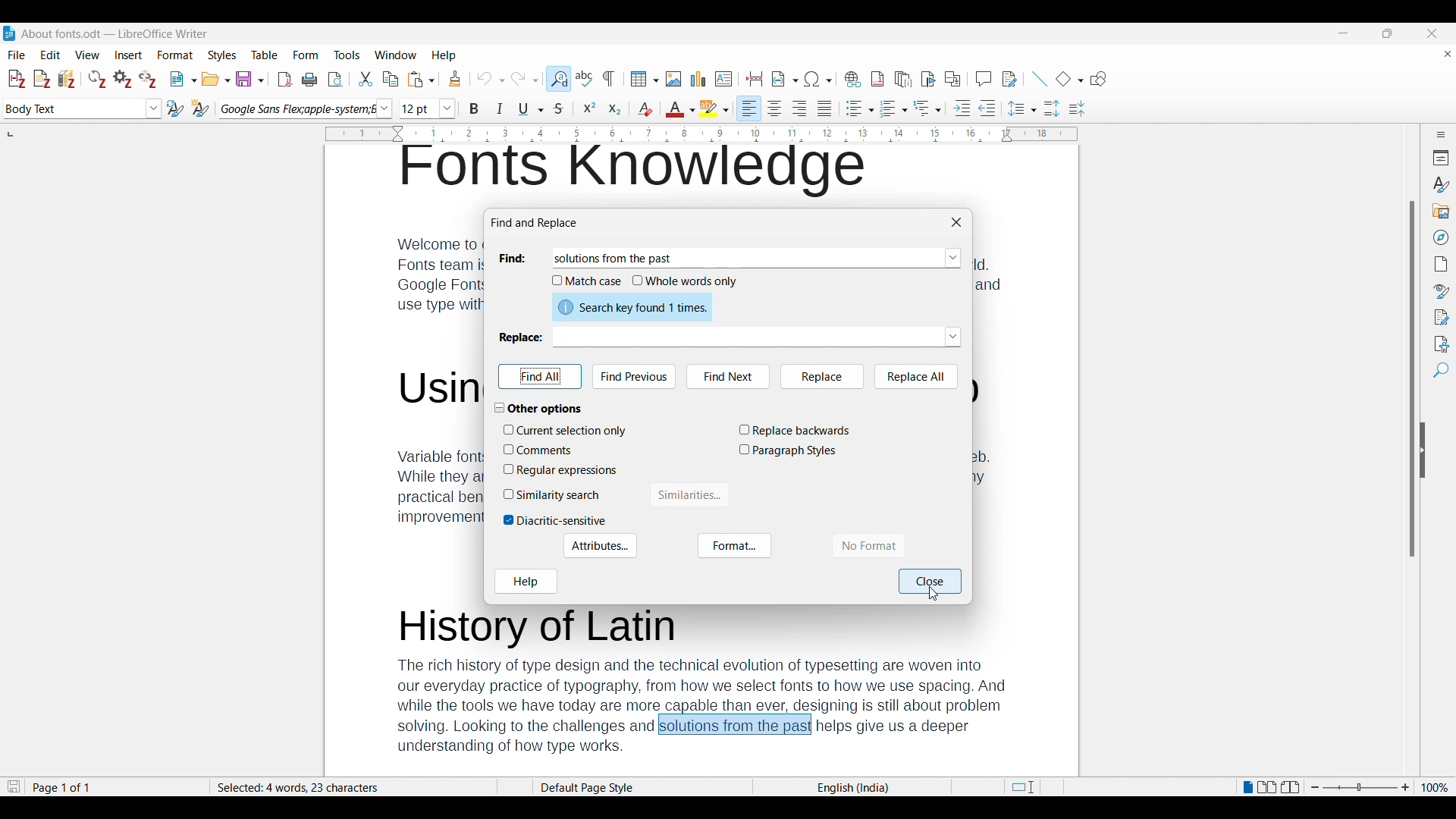 Image resolution: width=1456 pixels, height=819 pixels. Describe the element at coordinates (1099, 79) in the screenshot. I see `Show draw functions` at that location.